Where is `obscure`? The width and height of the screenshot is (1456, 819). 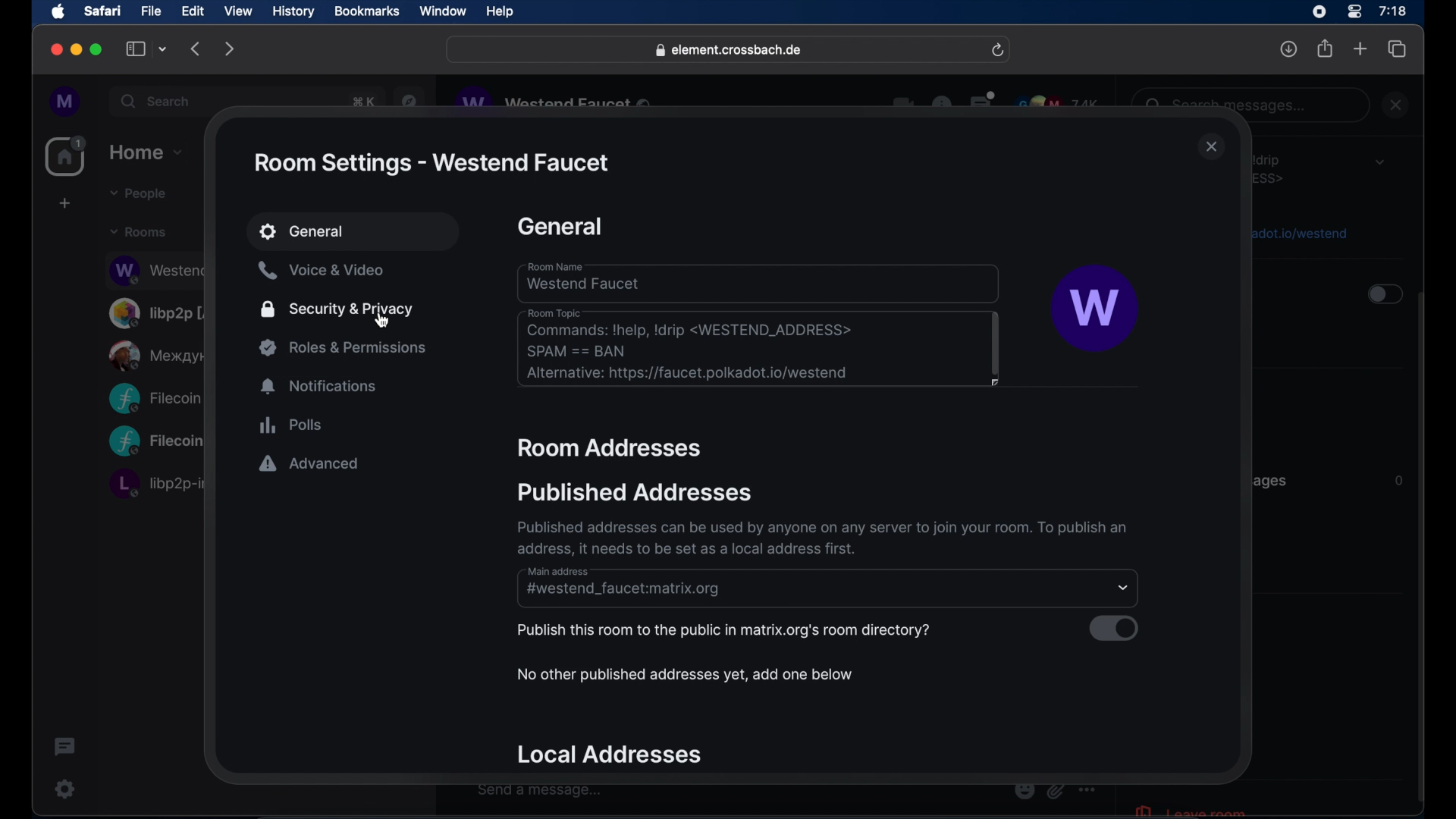
obscure is located at coordinates (160, 312).